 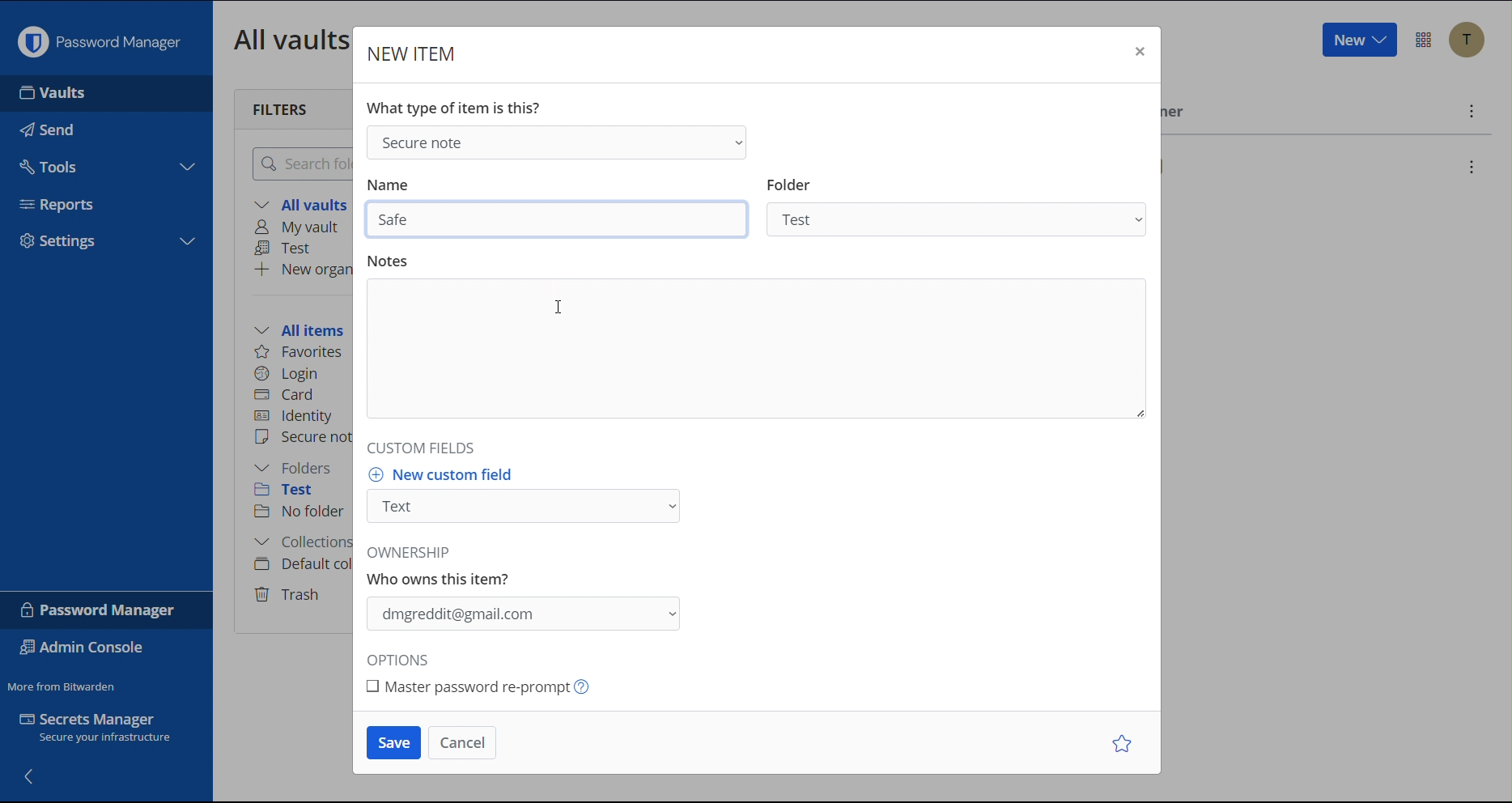 I want to click on Favorites, so click(x=300, y=352).